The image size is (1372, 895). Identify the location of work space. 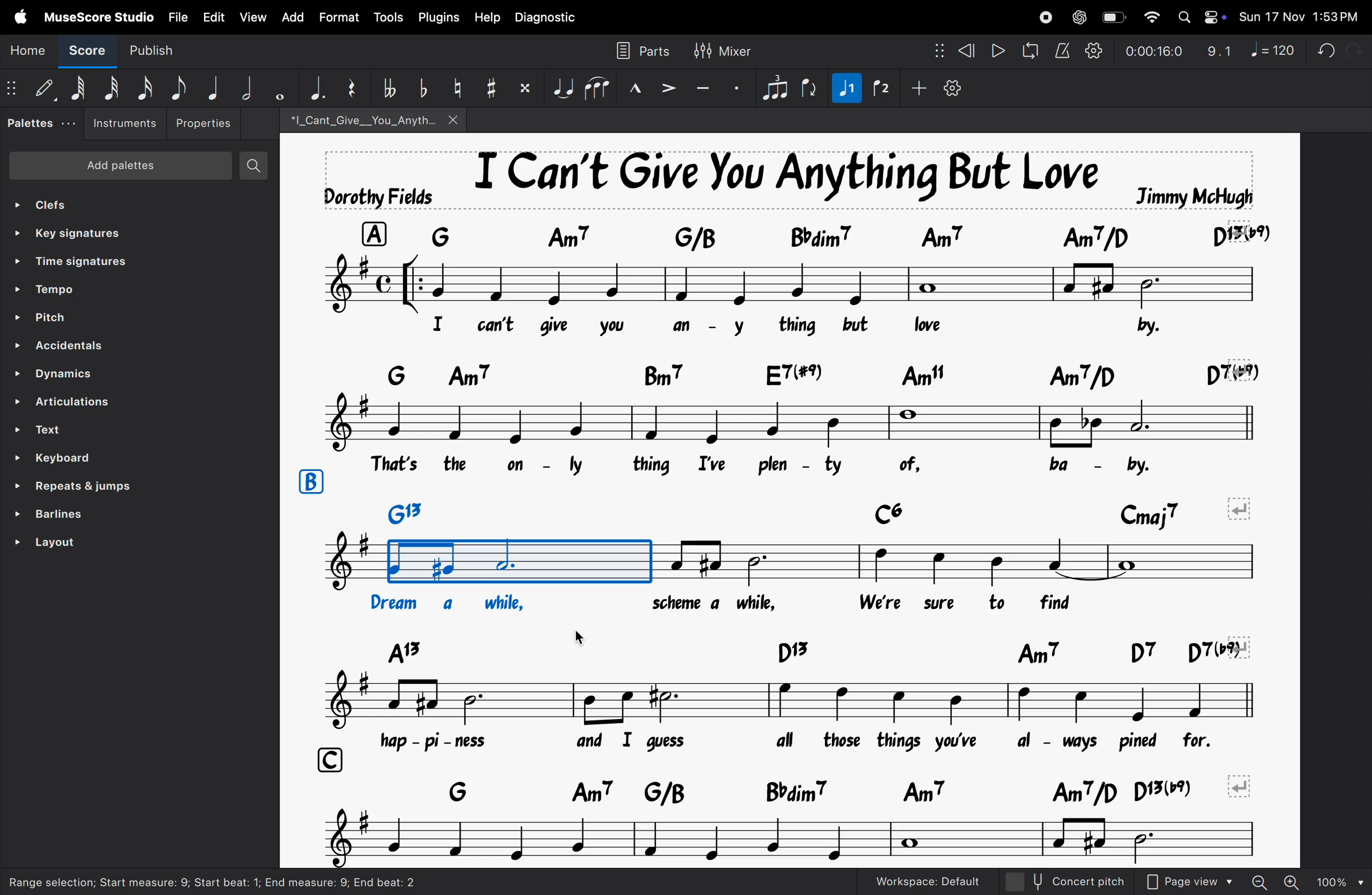
(944, 881).